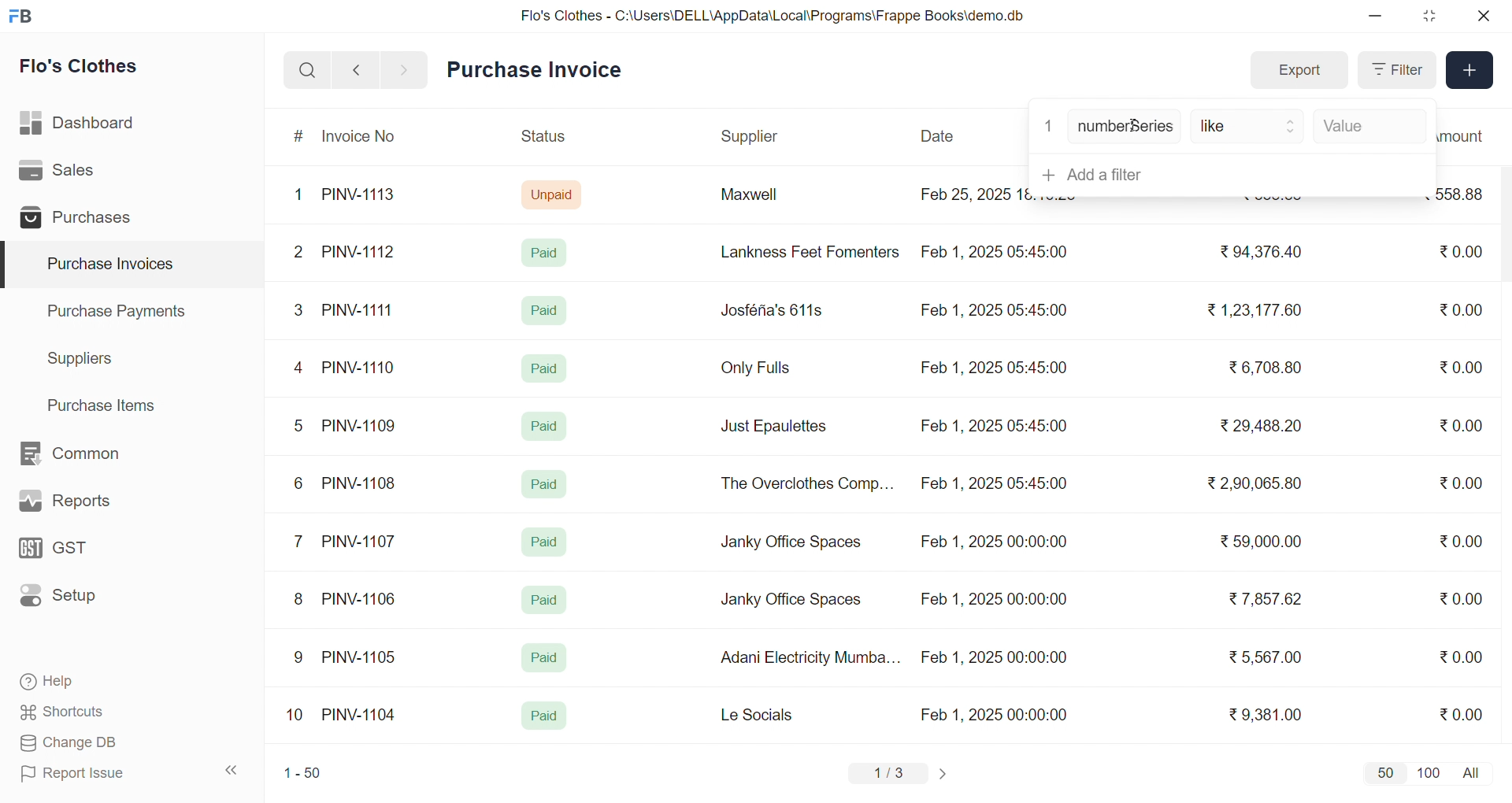  I want to click on ₹558.88, so click(1466, 194).